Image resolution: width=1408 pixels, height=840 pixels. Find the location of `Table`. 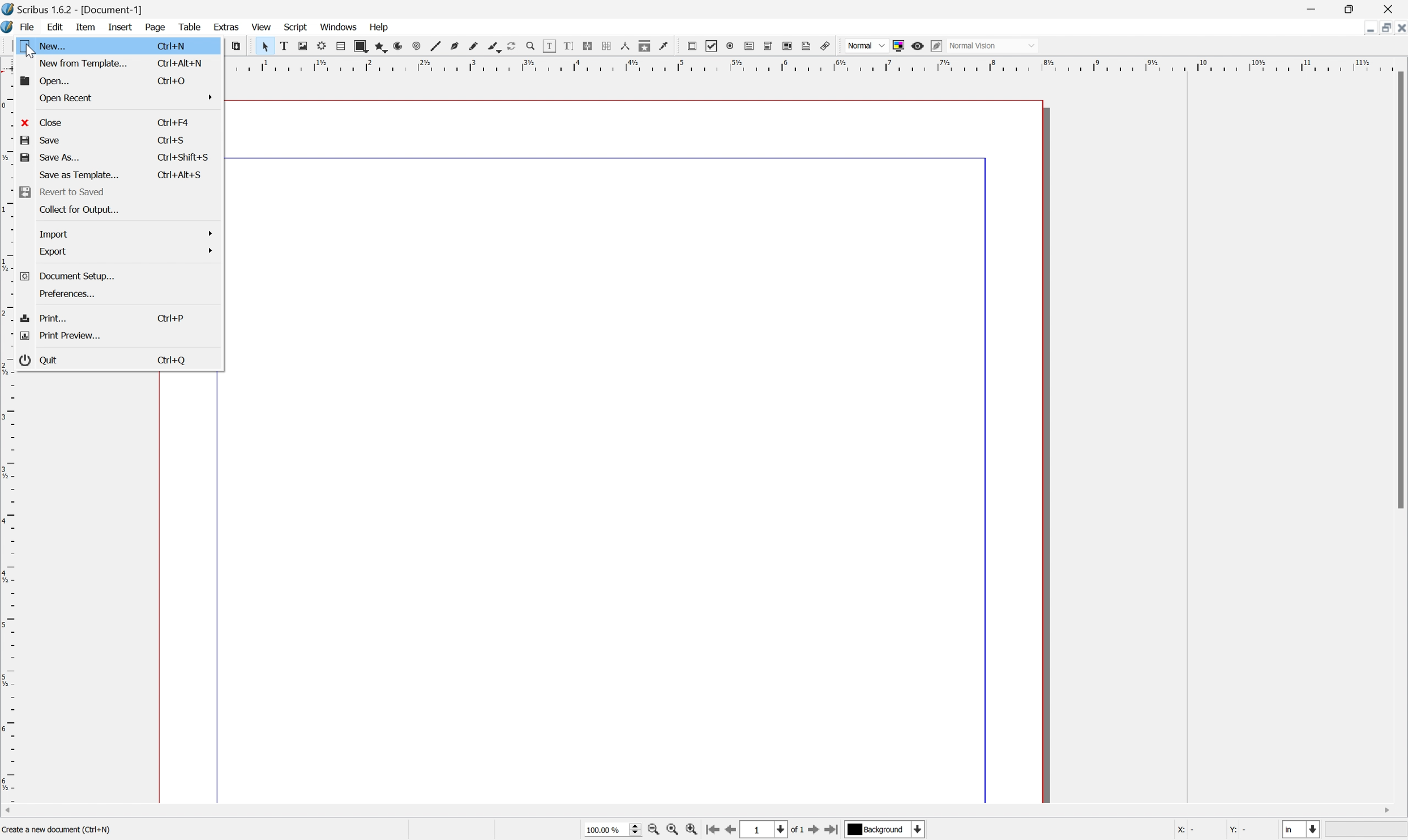

Table is located at coordinates (338, 46).